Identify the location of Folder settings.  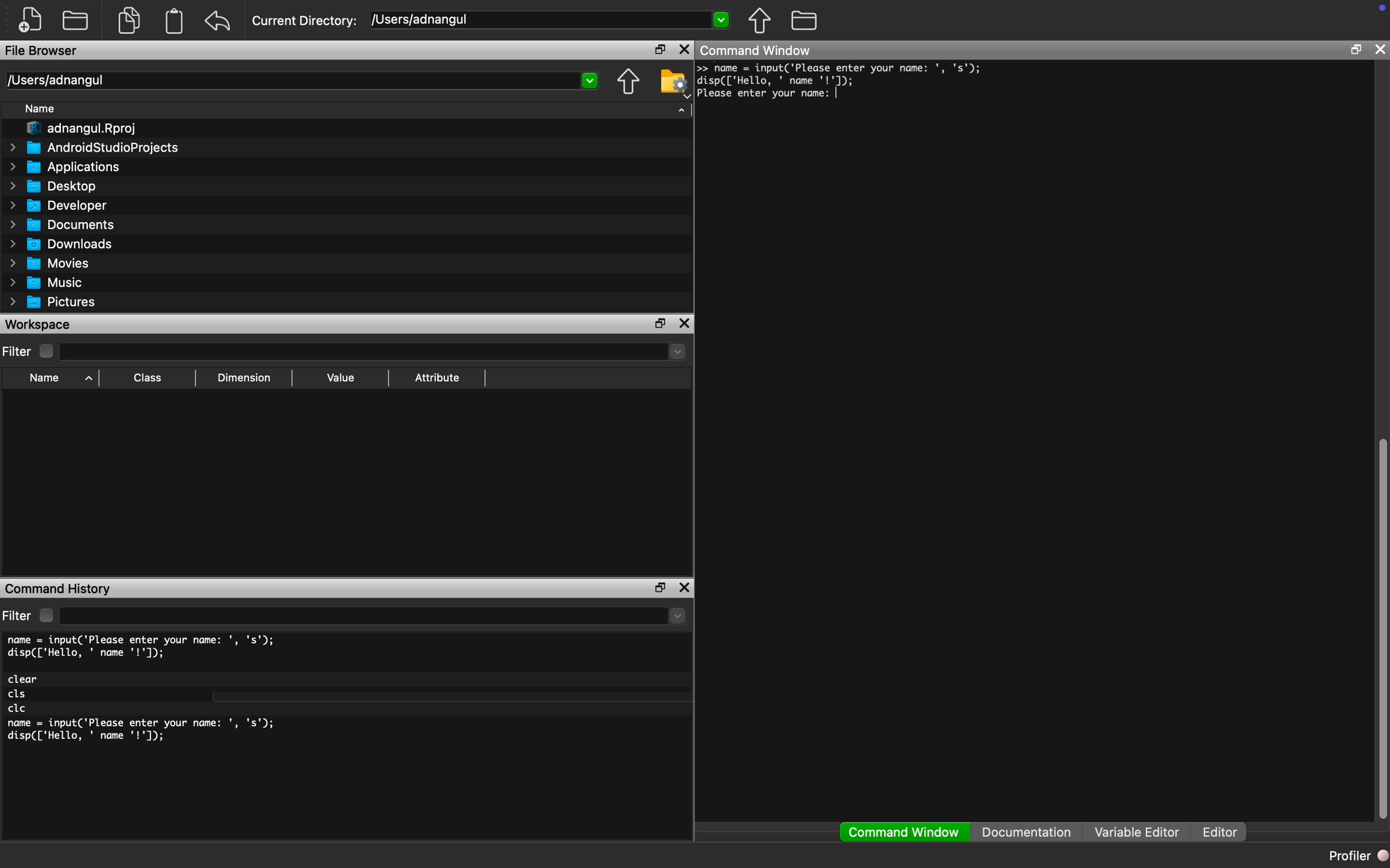
(674, 83).